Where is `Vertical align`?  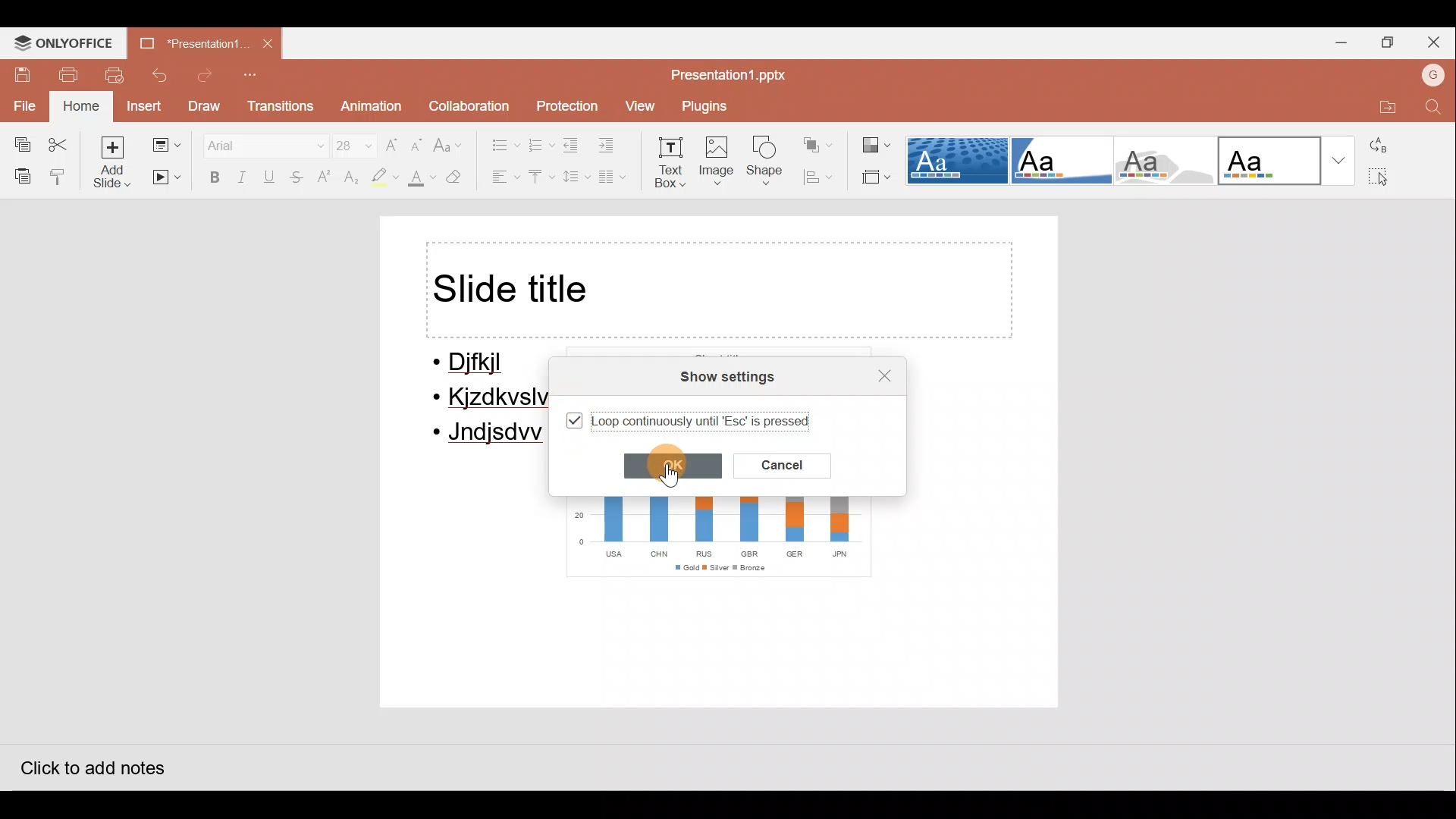
Vertical align is located at coordinates (538, 178).